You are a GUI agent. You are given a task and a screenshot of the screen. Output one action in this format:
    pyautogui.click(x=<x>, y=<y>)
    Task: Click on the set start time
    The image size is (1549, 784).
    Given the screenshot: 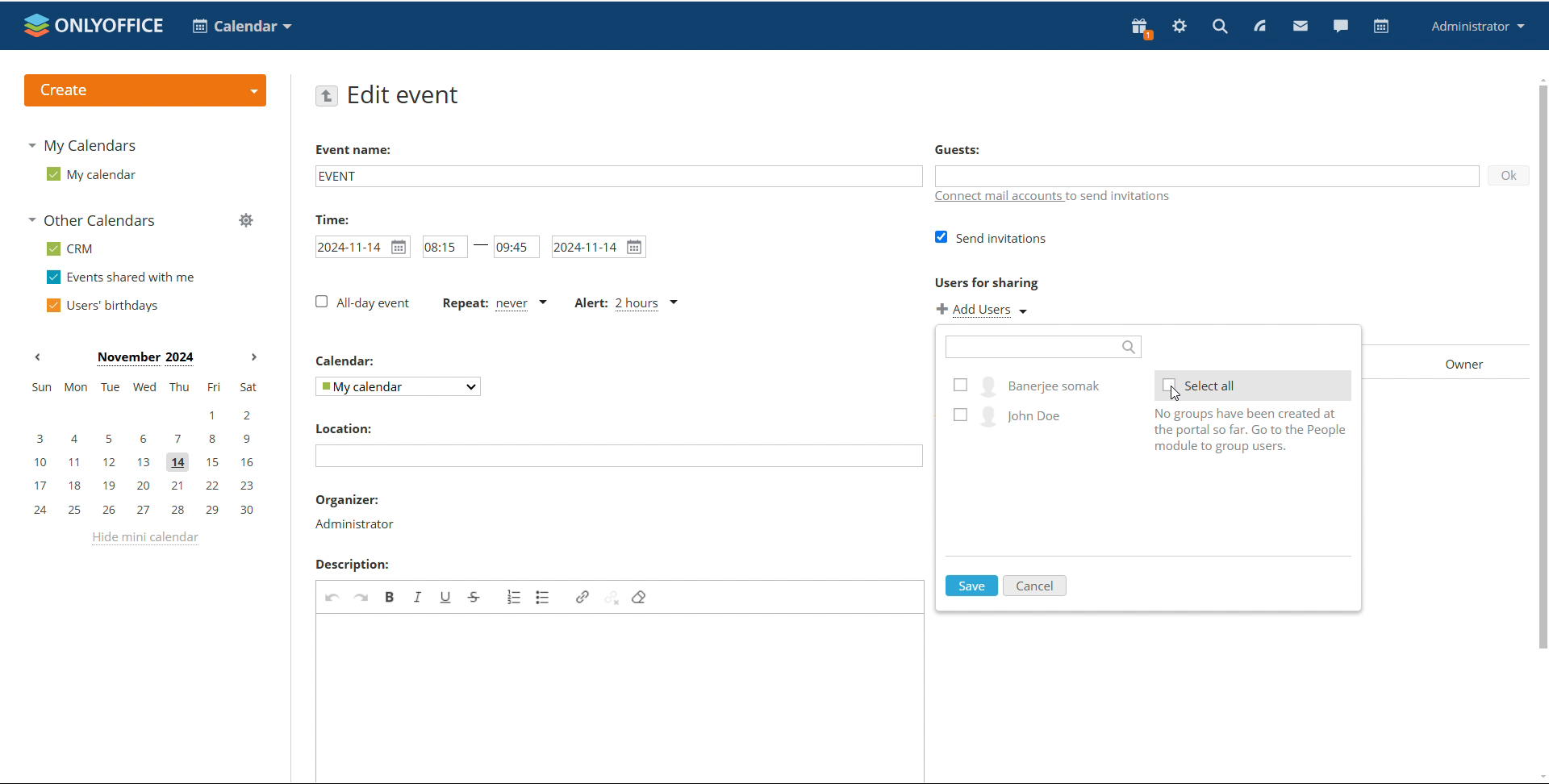 What is the action you would take?
    pyautogui.click(x=445, y=246)
    